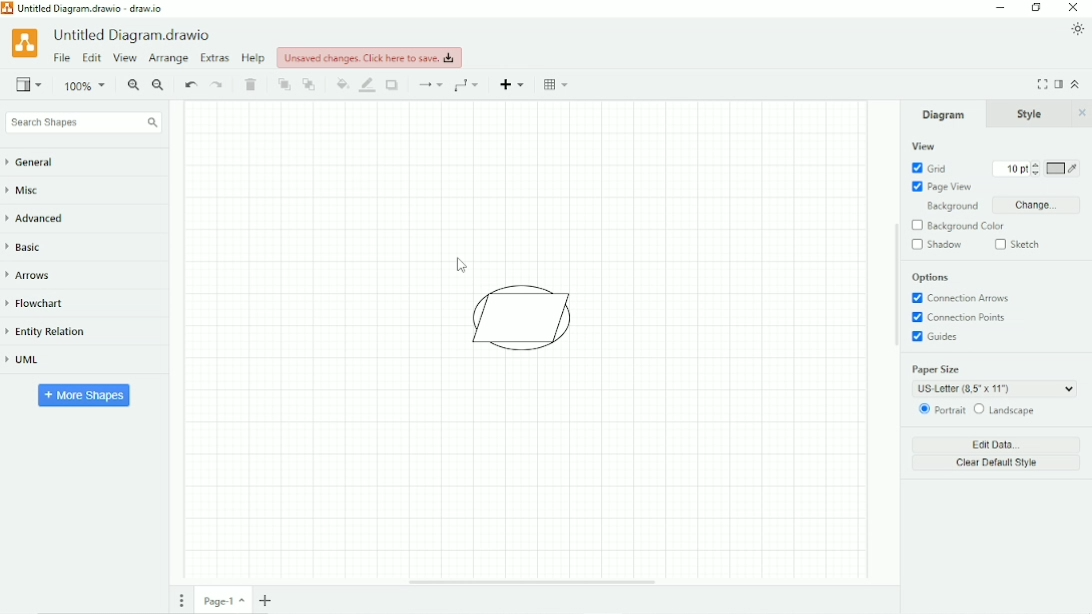 This screenshot has height=614, width=1092. Describe the element at coordinates (1063, 169) in the screenshot. I see `Grid color` at that location.